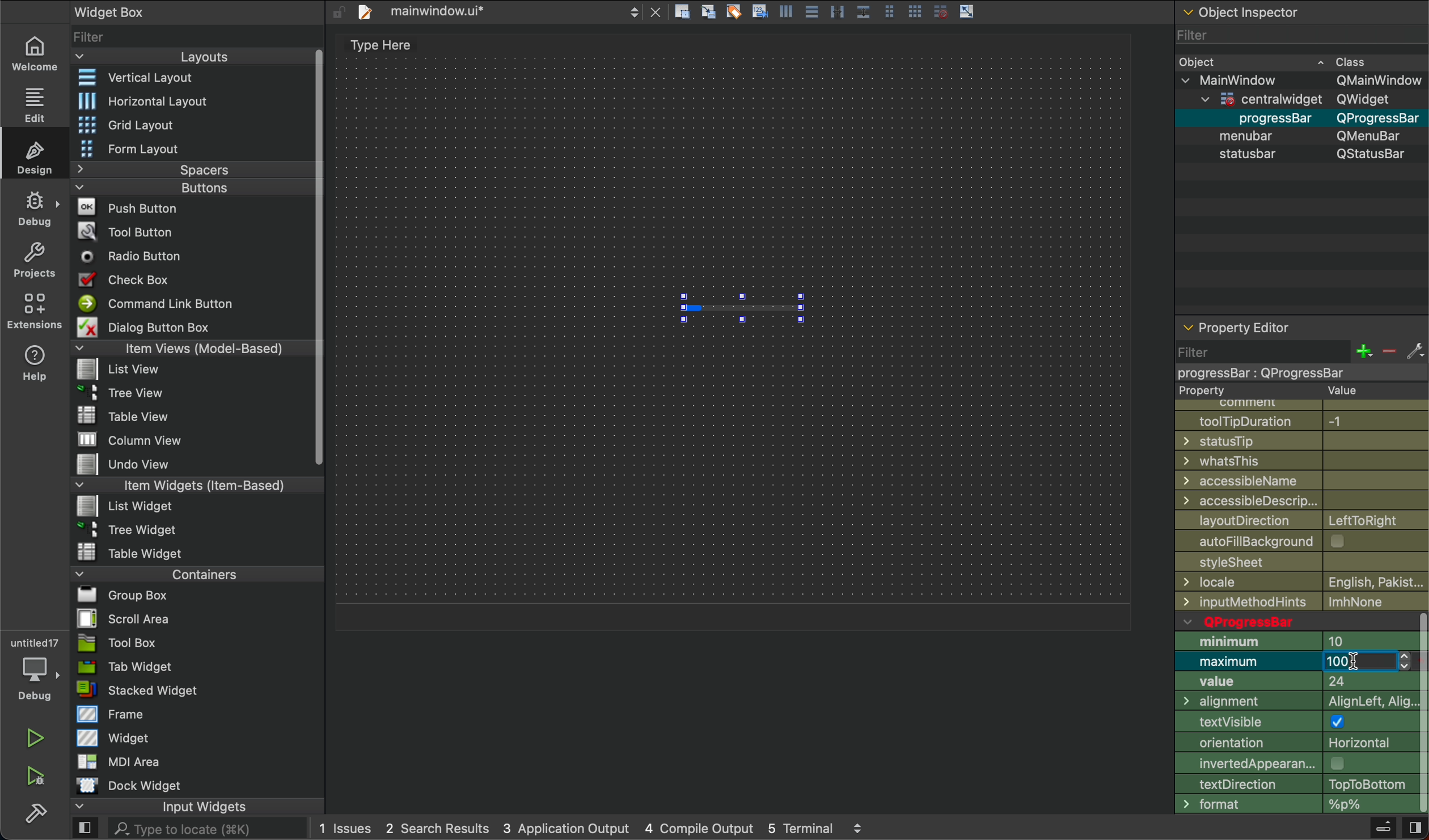 This screenshot has width=1429, height=840. I want to click on unlock, so click(338, 12).